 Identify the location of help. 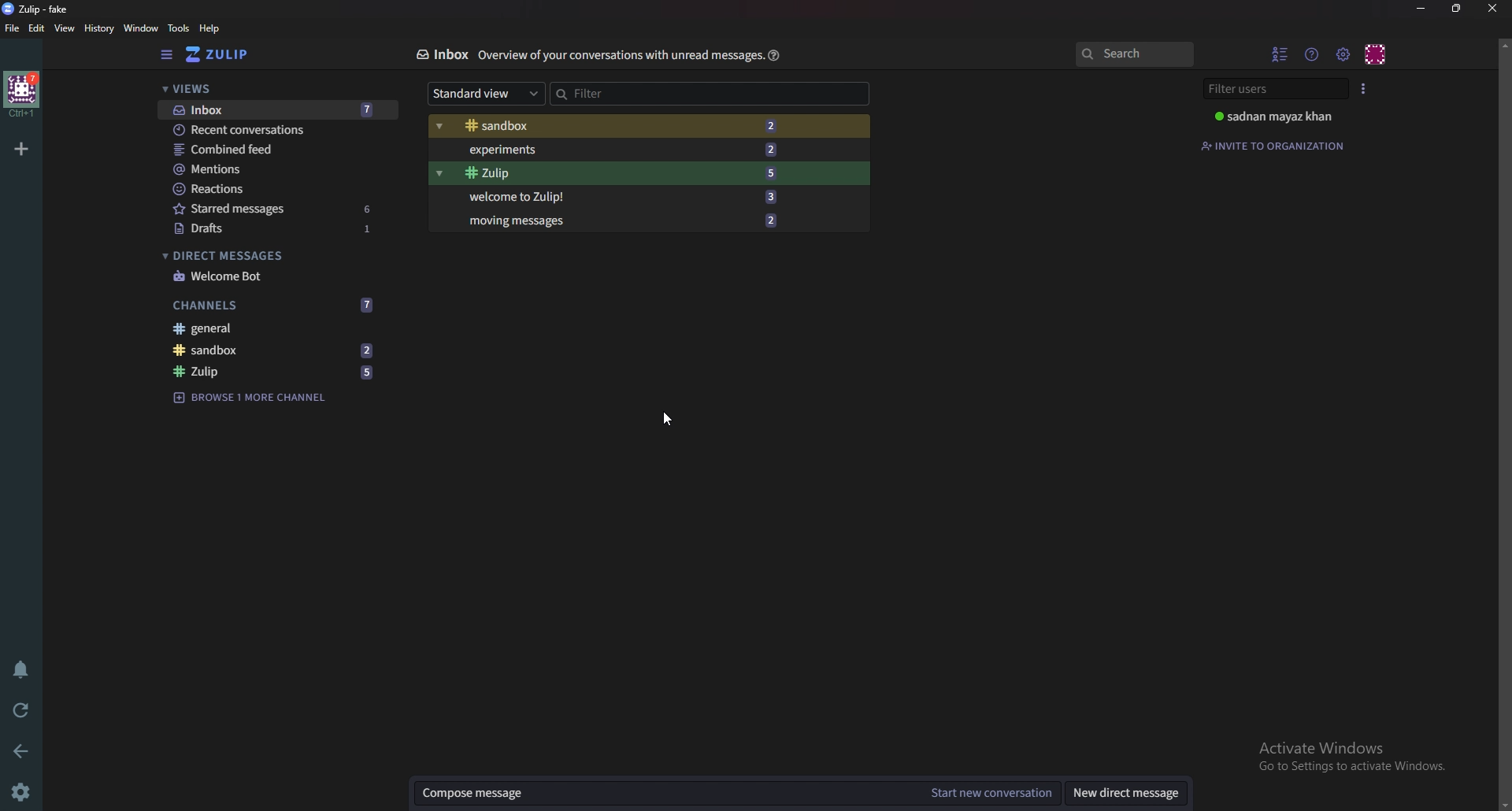
(210, 28).